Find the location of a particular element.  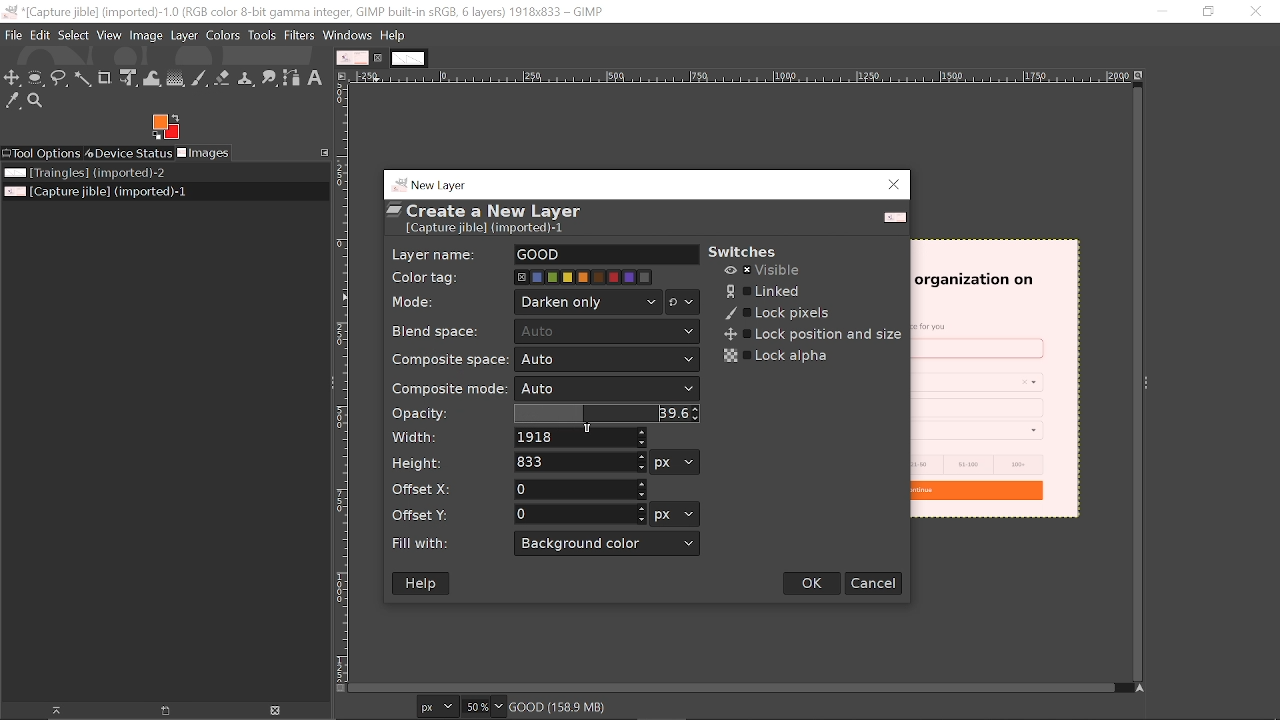

Colors is located at coordinates (224, 36).